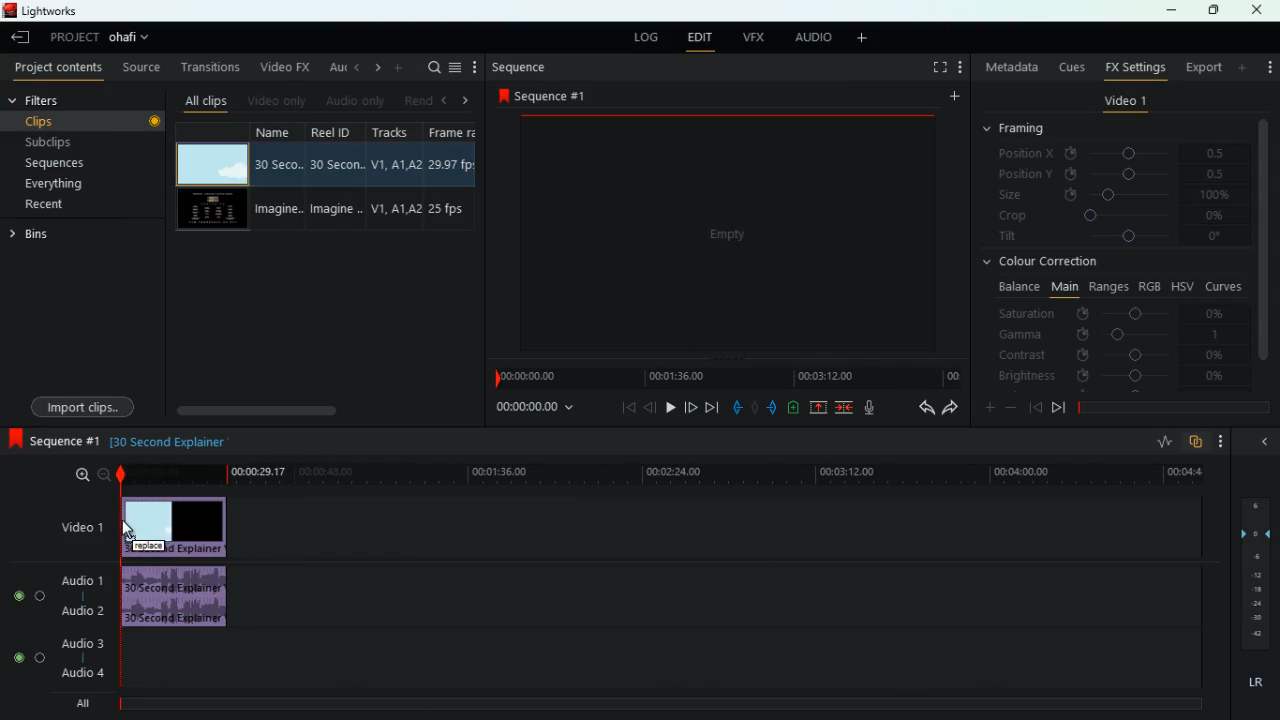  What do you see at coordinates (355, 67) in the screenshot?
I see `back` at bounding box center [355, 67].